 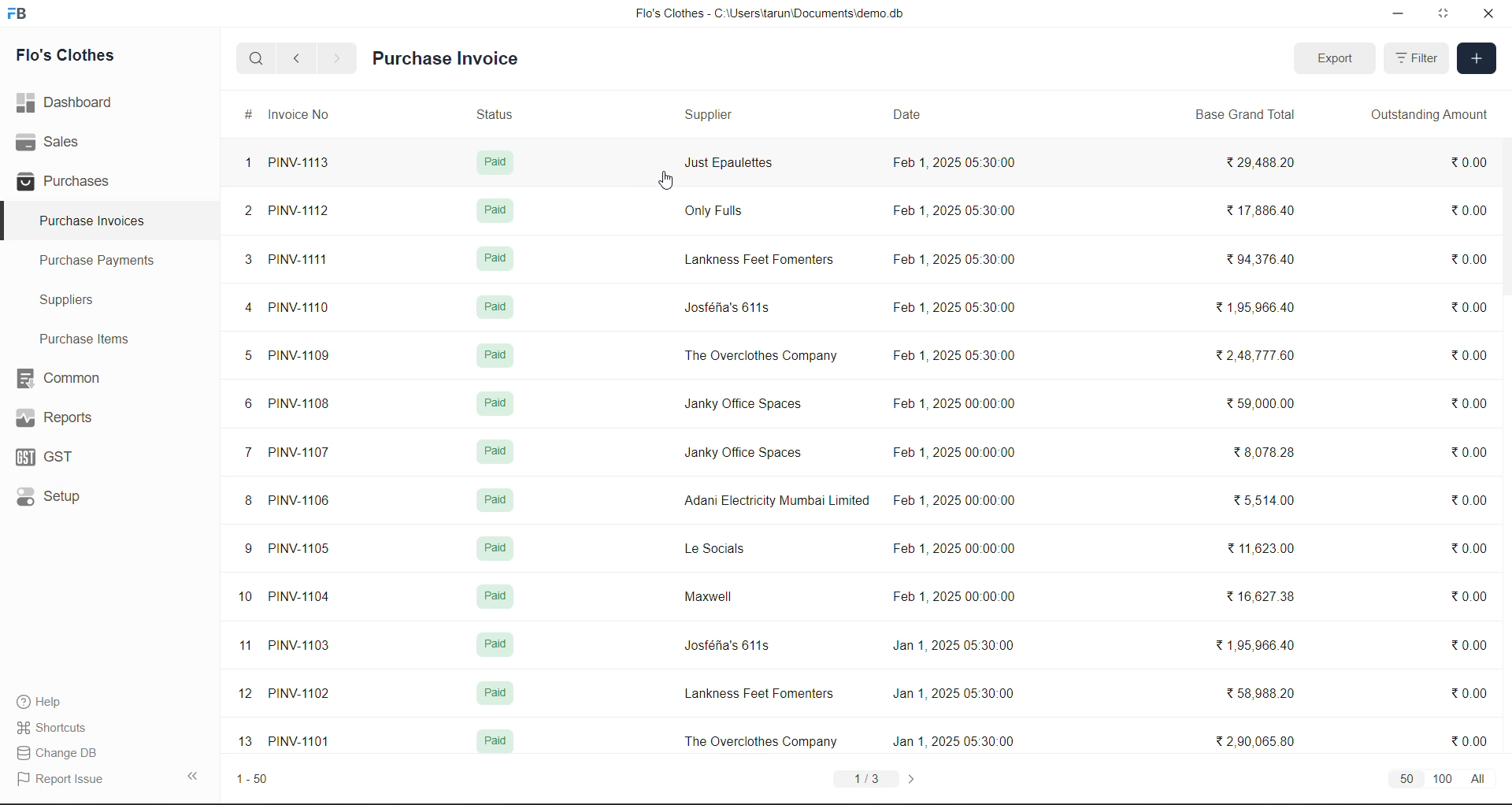 What do you see at coordinates (300, 57) in the screenshot?
I see `previous` at bounding box center [300, 57].